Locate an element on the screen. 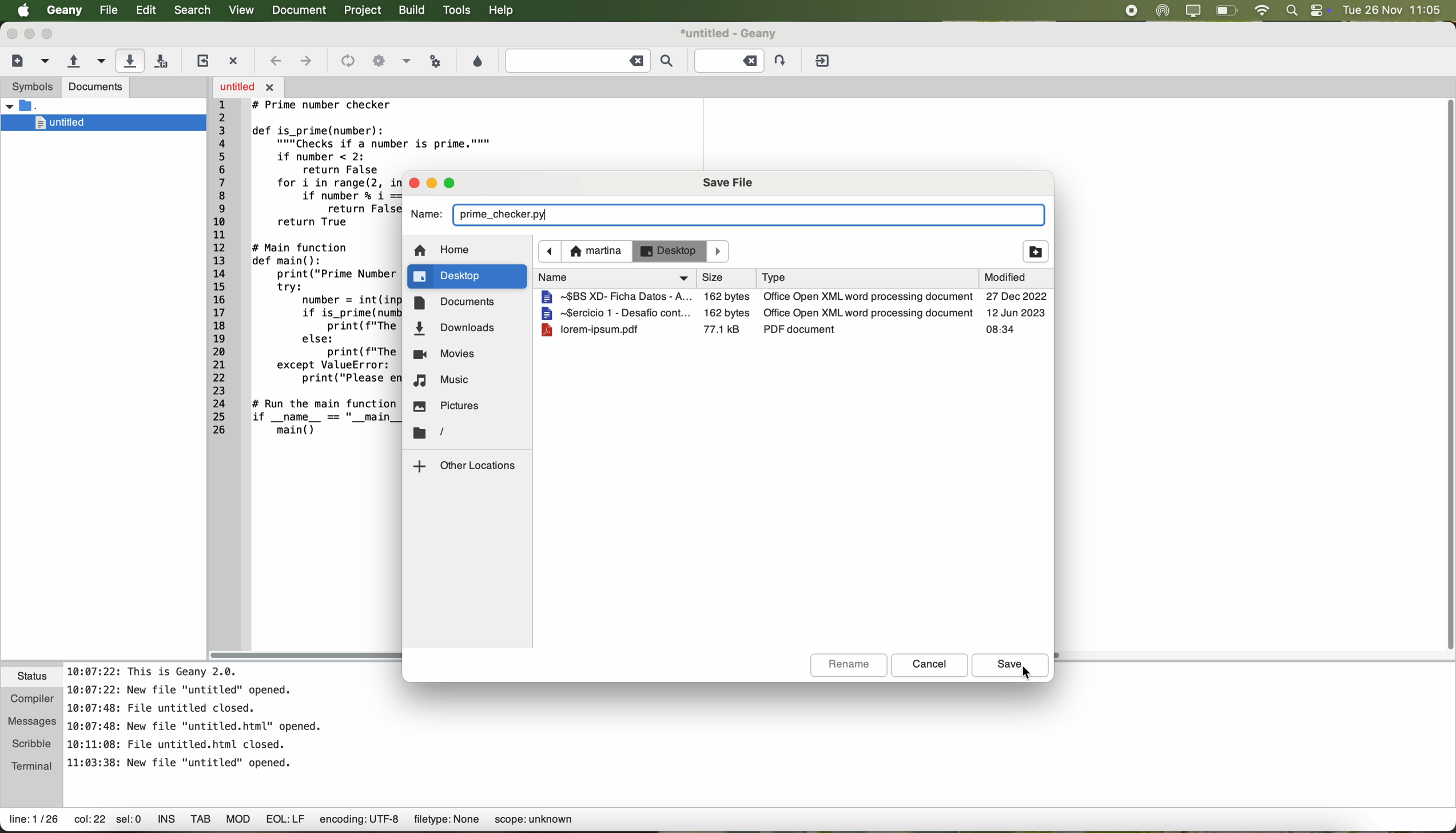 The height and width of the screenshot is (833, 1456). help is located at coordinates (506, 12).